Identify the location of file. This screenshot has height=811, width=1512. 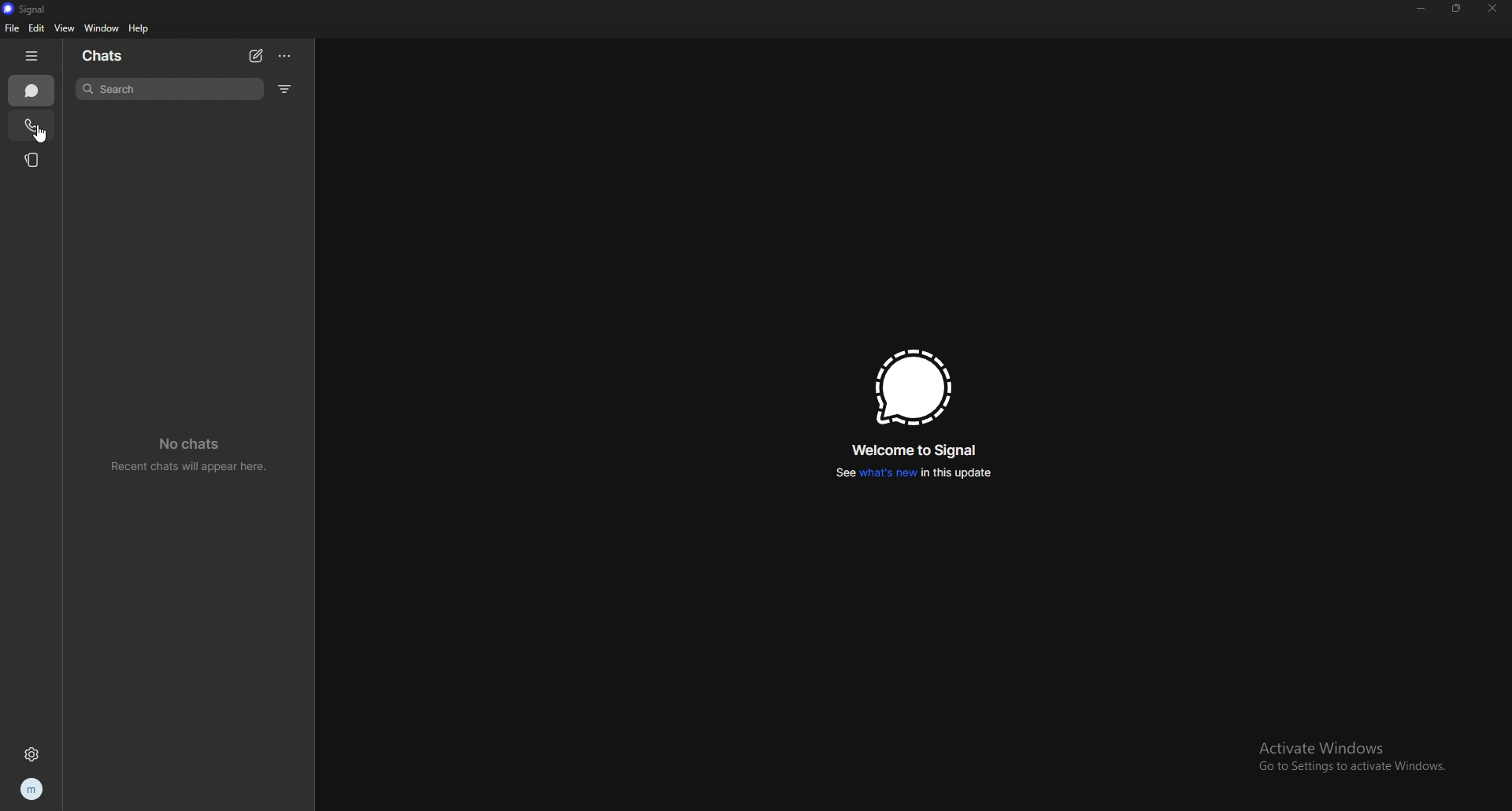
(13, 28).